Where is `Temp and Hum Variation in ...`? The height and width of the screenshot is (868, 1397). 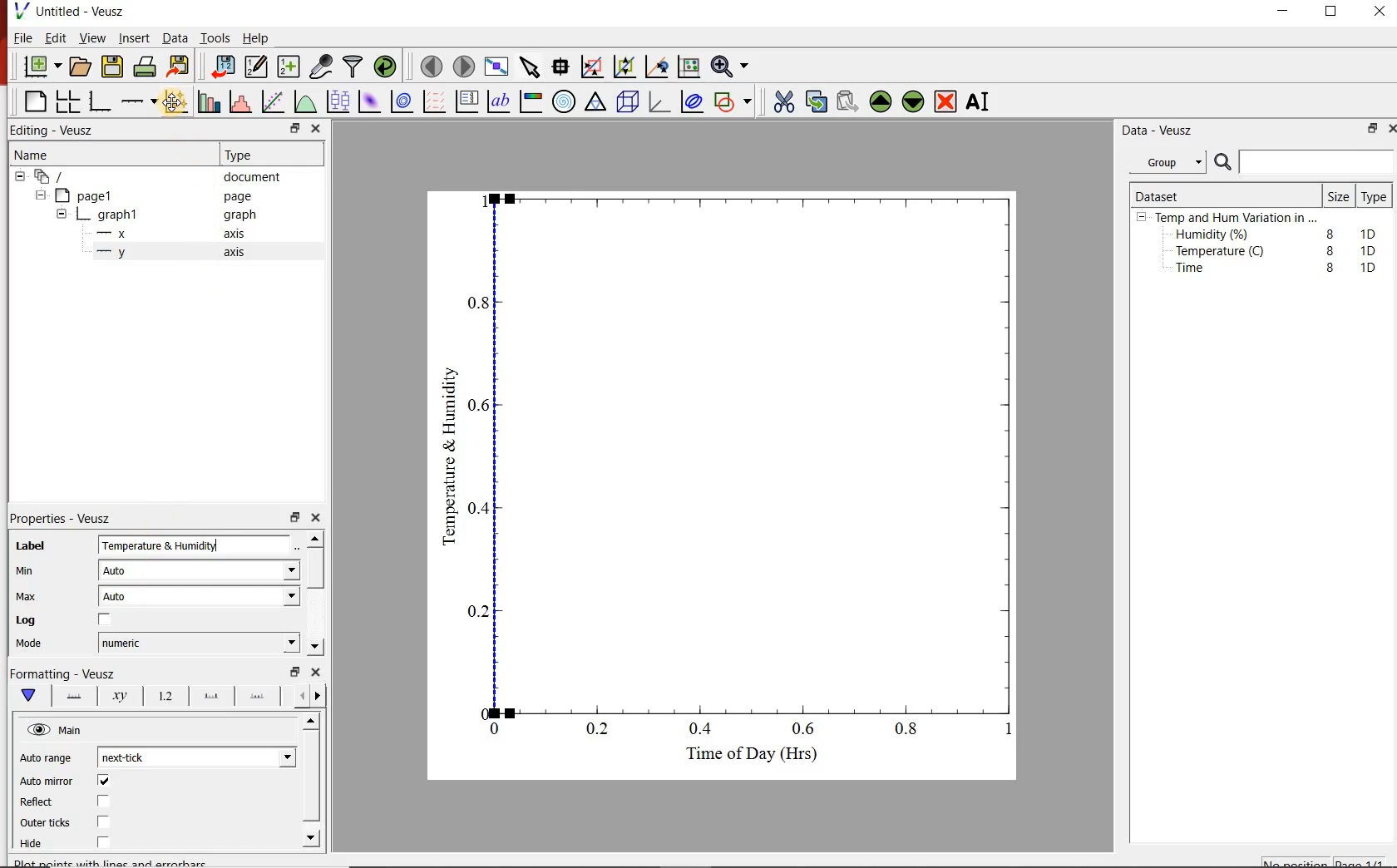
Temp and Hum Variation in ... is located at coordinates (1236, 218).